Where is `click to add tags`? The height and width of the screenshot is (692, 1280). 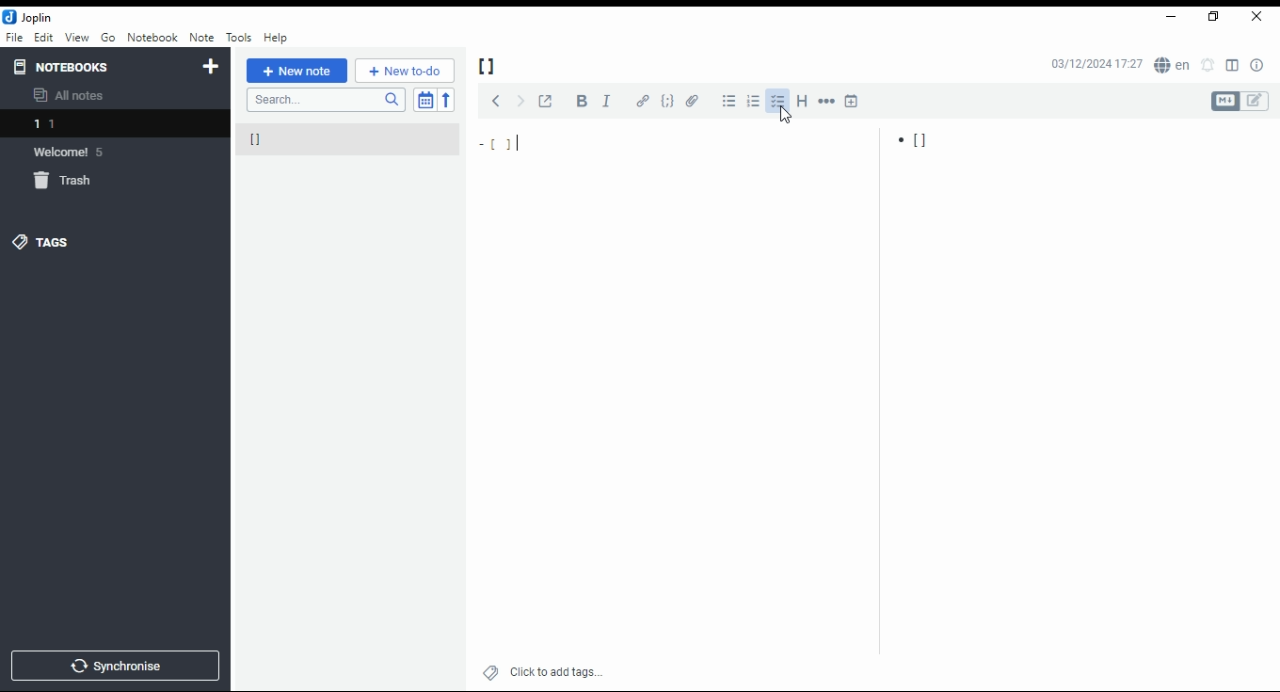 click to add tags is located at coordinates (543, 674).